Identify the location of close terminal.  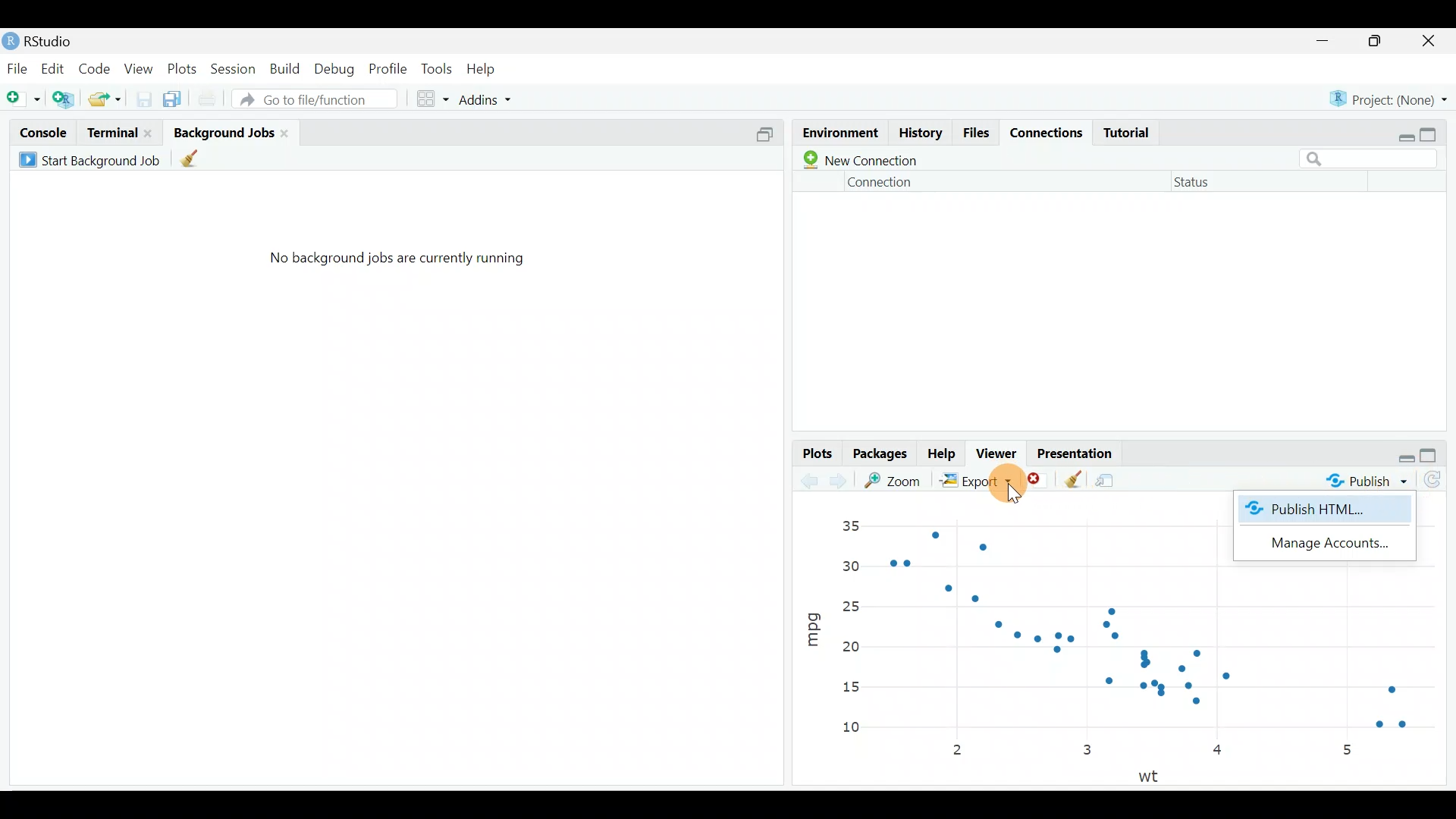
(151, 129).